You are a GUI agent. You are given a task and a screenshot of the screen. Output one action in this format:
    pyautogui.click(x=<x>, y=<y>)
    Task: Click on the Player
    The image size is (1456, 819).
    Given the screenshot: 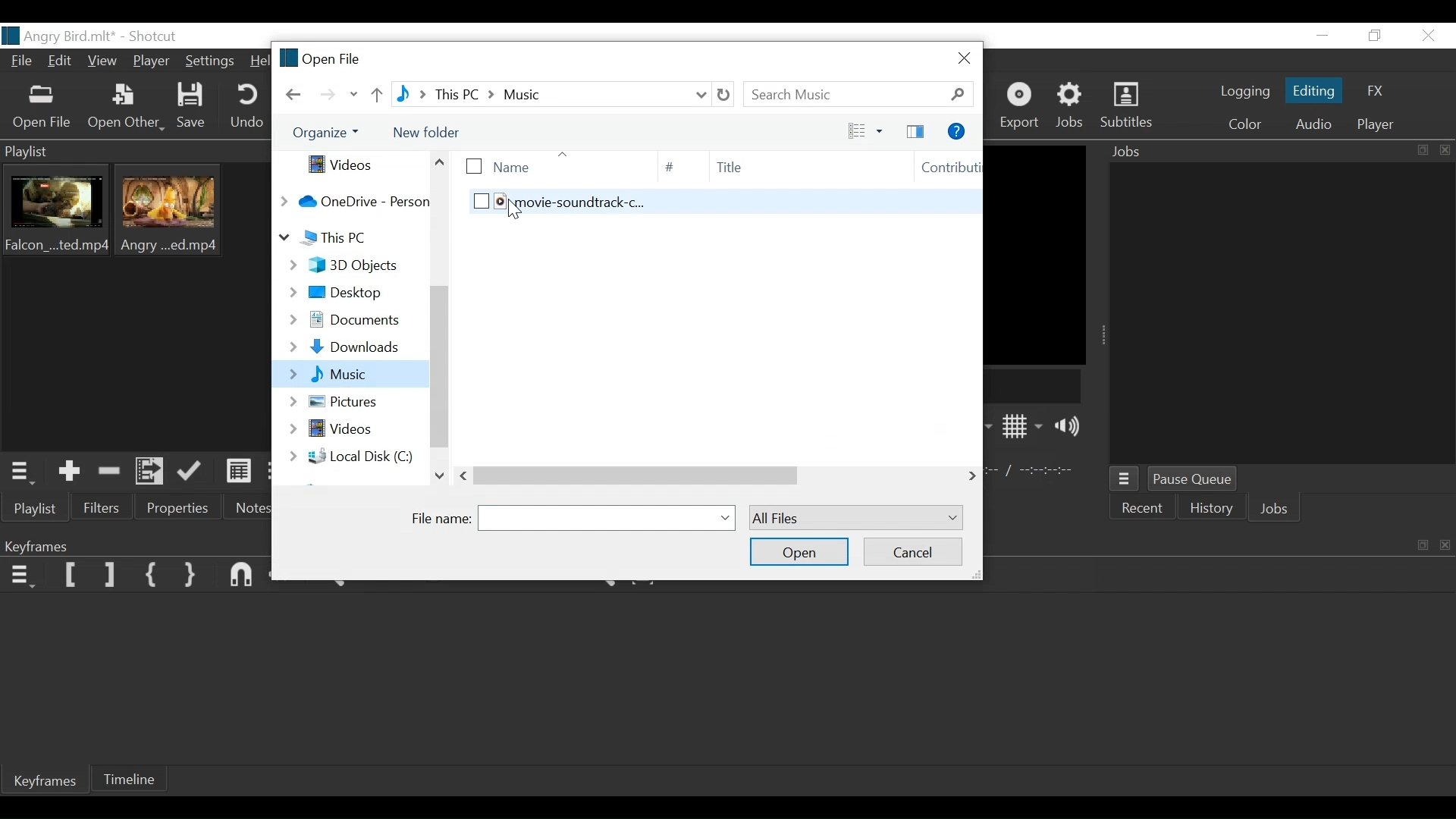 What is the action you would take?
    pyautogui.click(x=1372, y=126)
    